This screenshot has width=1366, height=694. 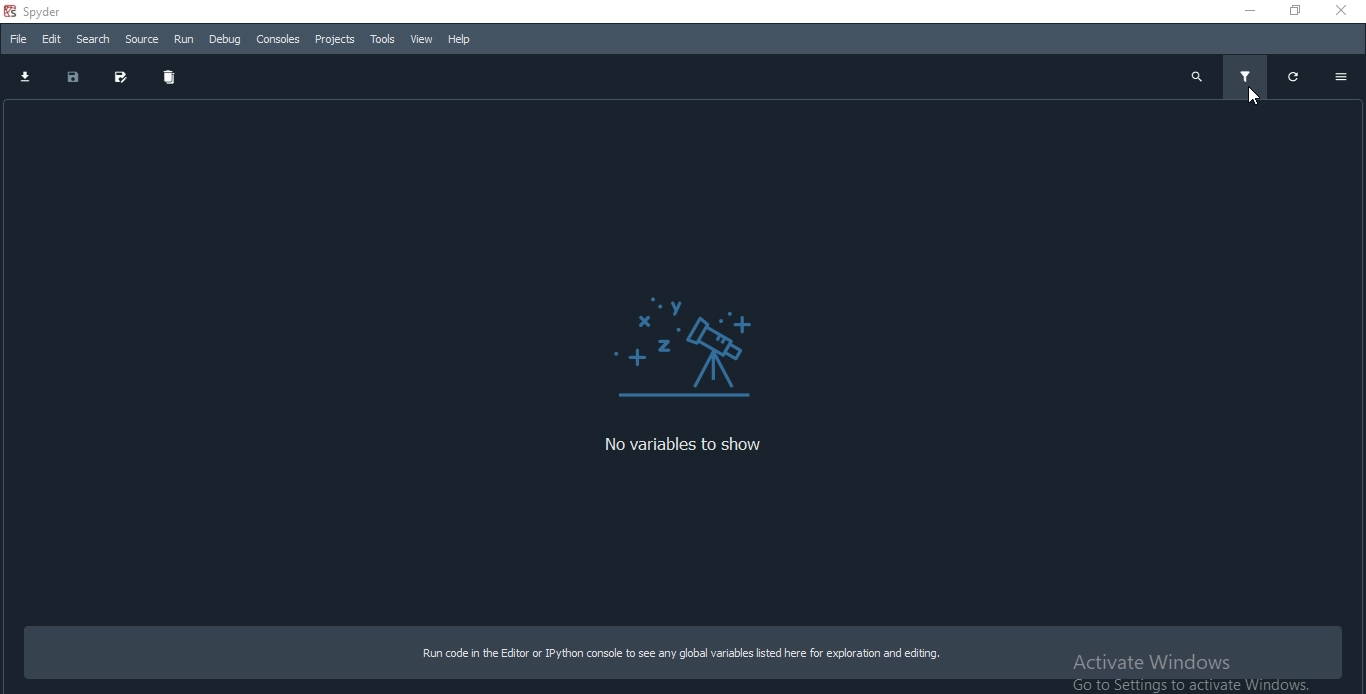 I want to click on Restore, so click(x=1295, y=11).